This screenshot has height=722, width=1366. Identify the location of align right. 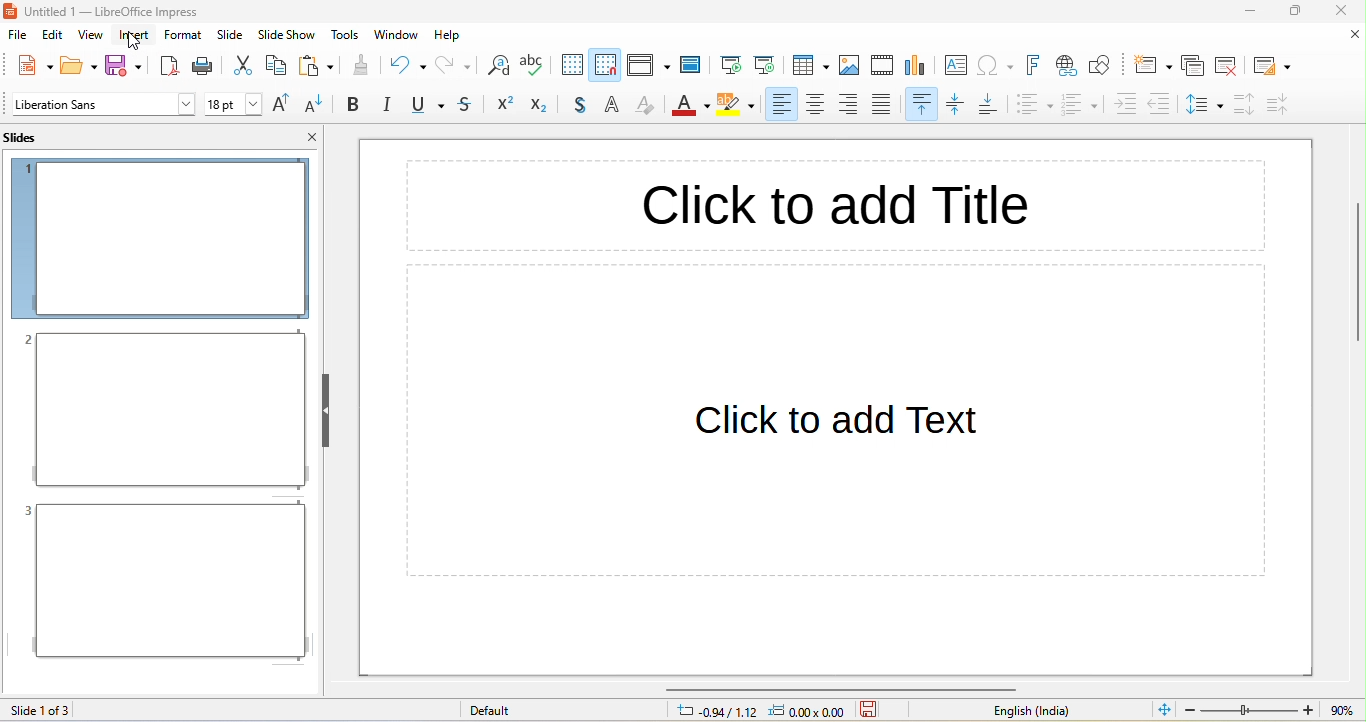
(852, 105).